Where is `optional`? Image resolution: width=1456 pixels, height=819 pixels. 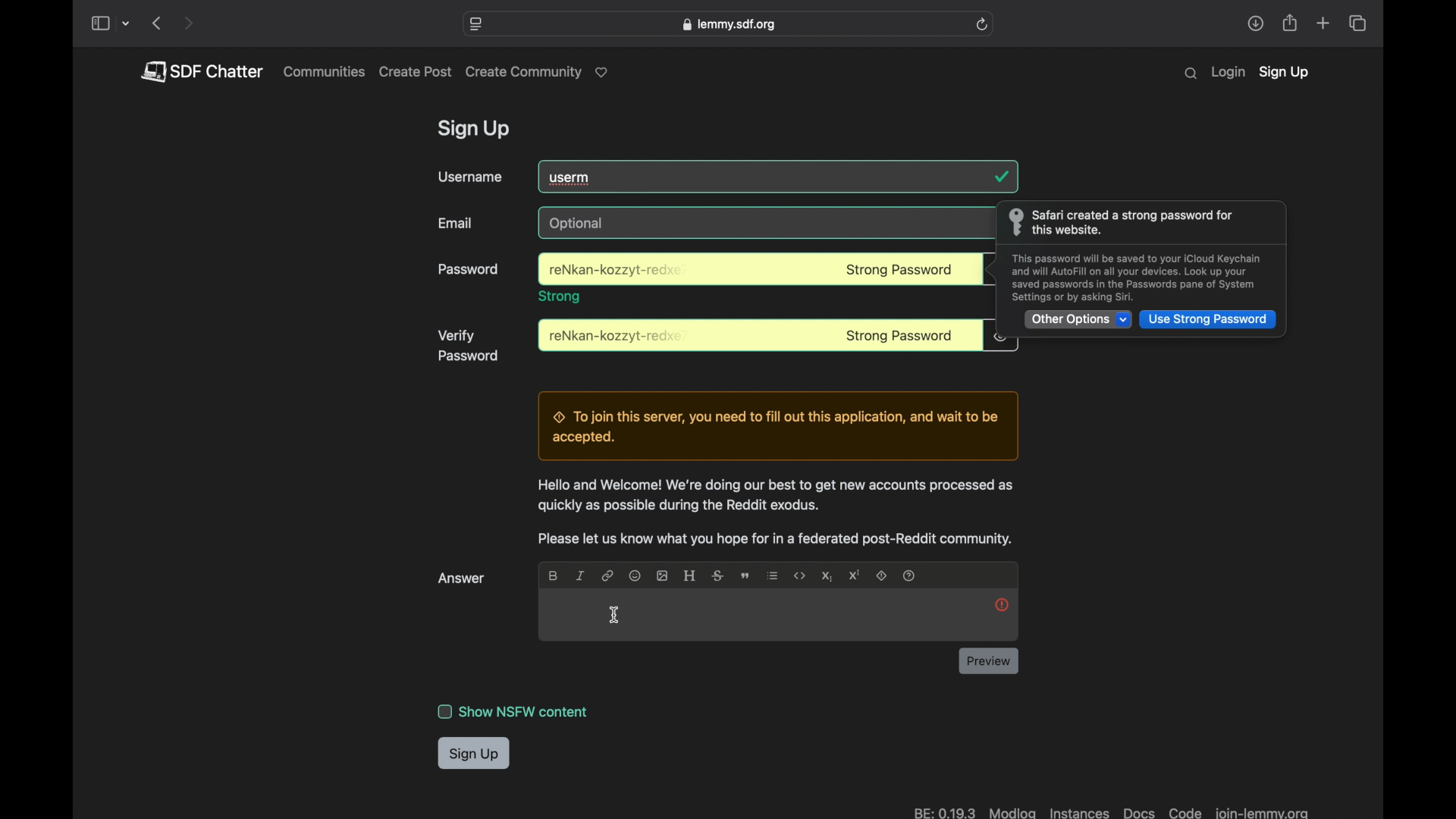
optional is located at coordinates (579, 224).